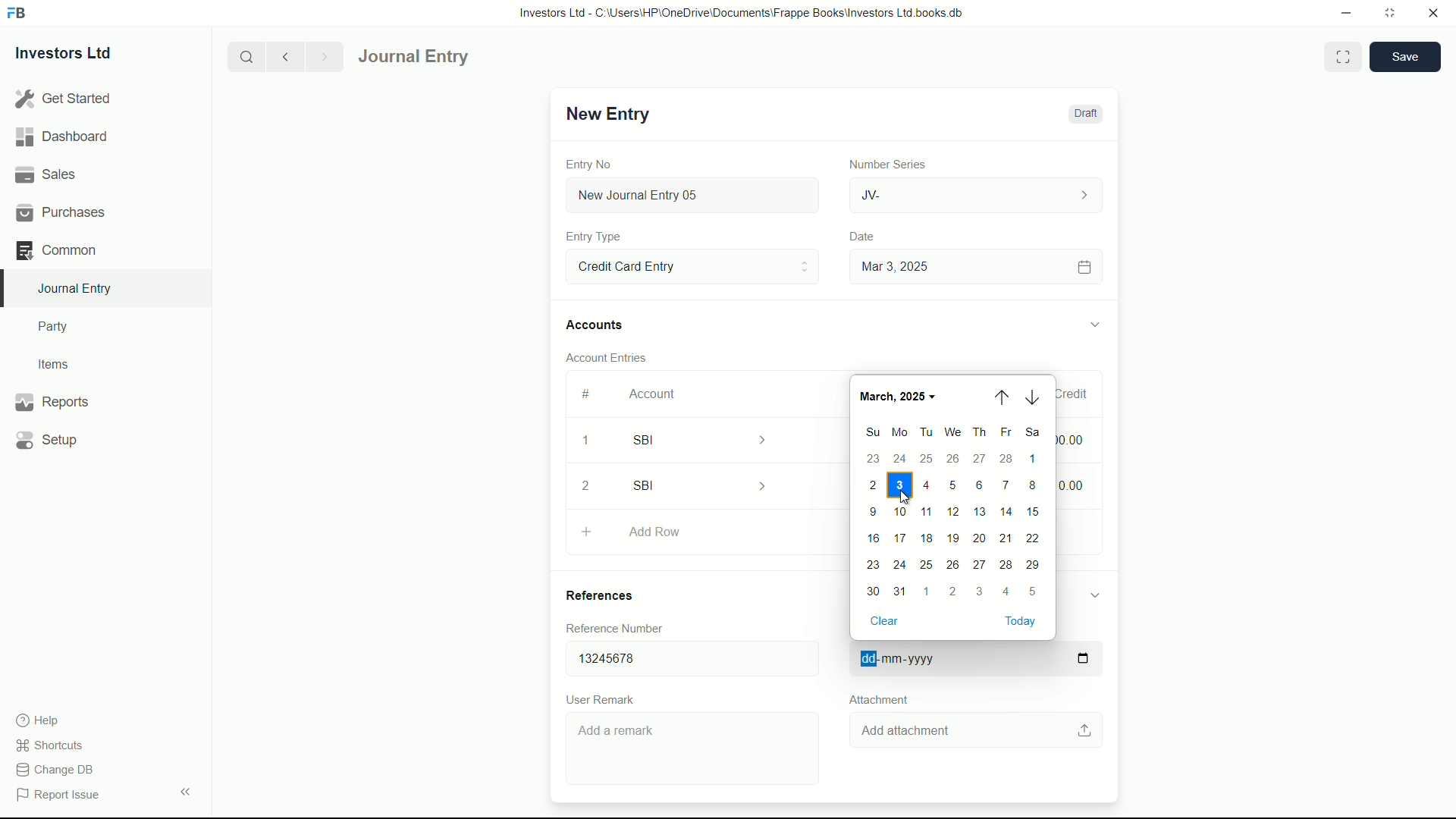 The width and height of the screenshot is (1456, 819). I want to click on Reference Number, so click(625, 628).